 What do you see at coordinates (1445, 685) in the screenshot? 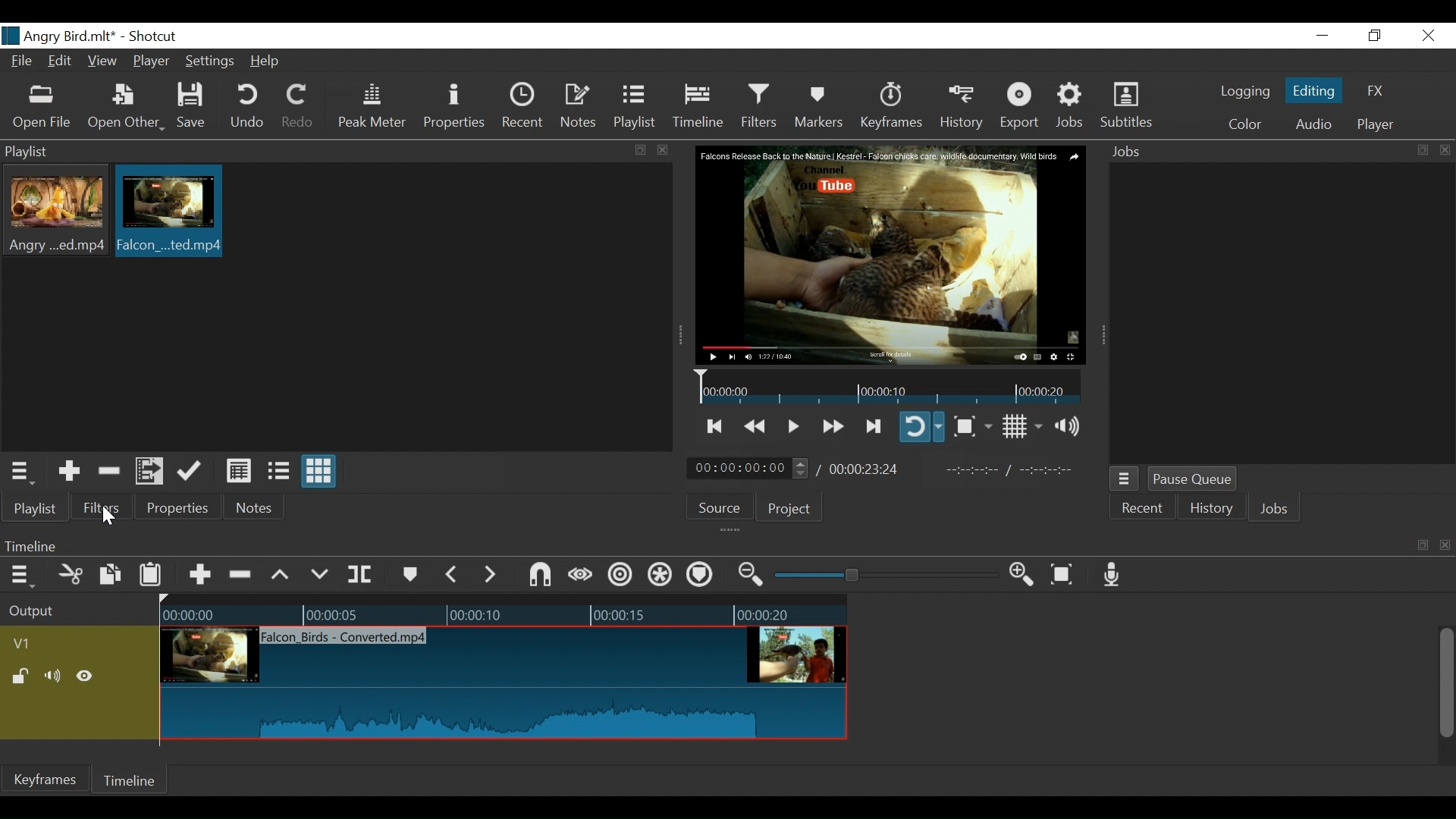
I see `Vertical Scroll bar` at bounding box center [1445, 685].